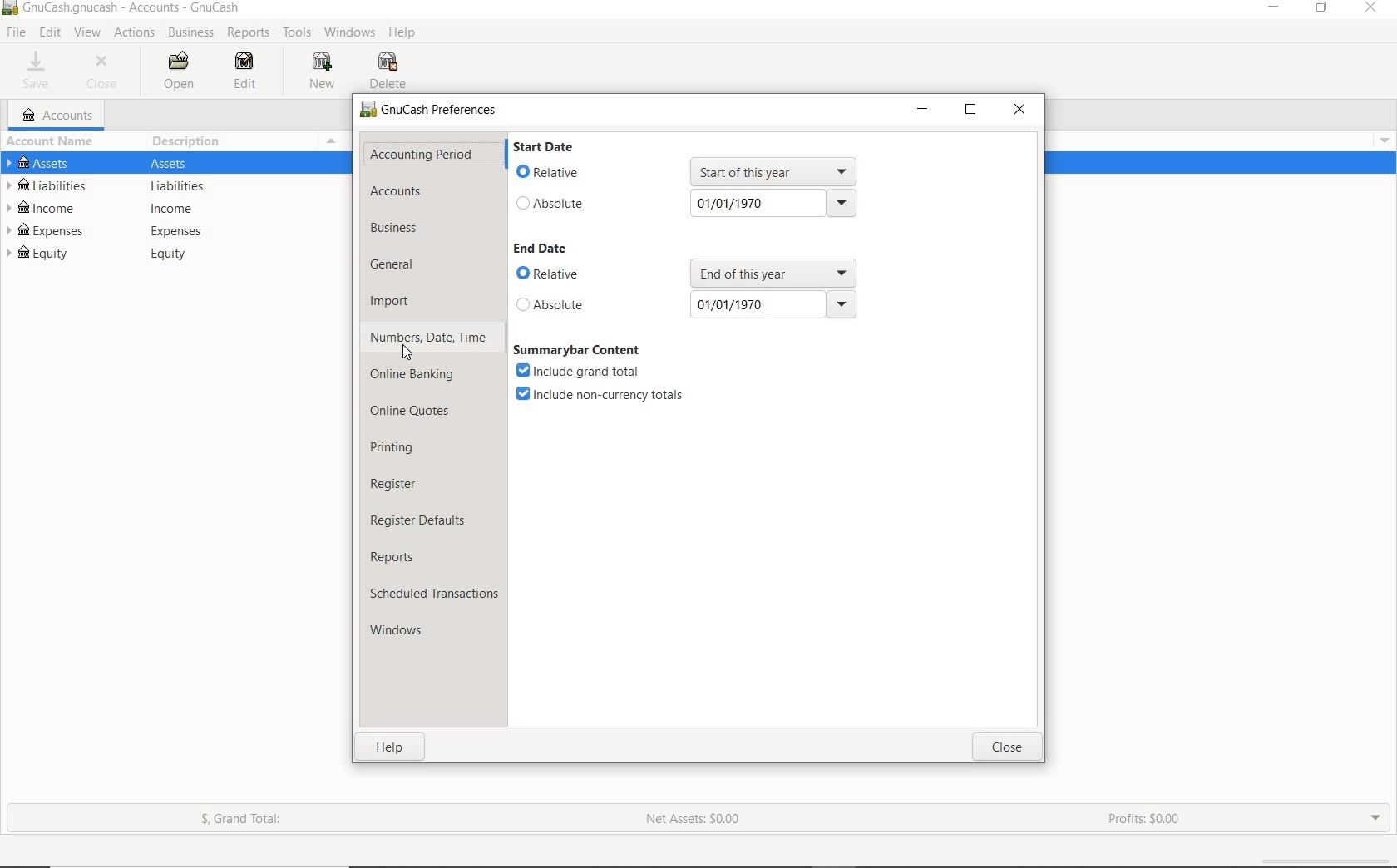 This screenshot has height=868, width=1397. I want to click on EDIT, so click(50, 32).